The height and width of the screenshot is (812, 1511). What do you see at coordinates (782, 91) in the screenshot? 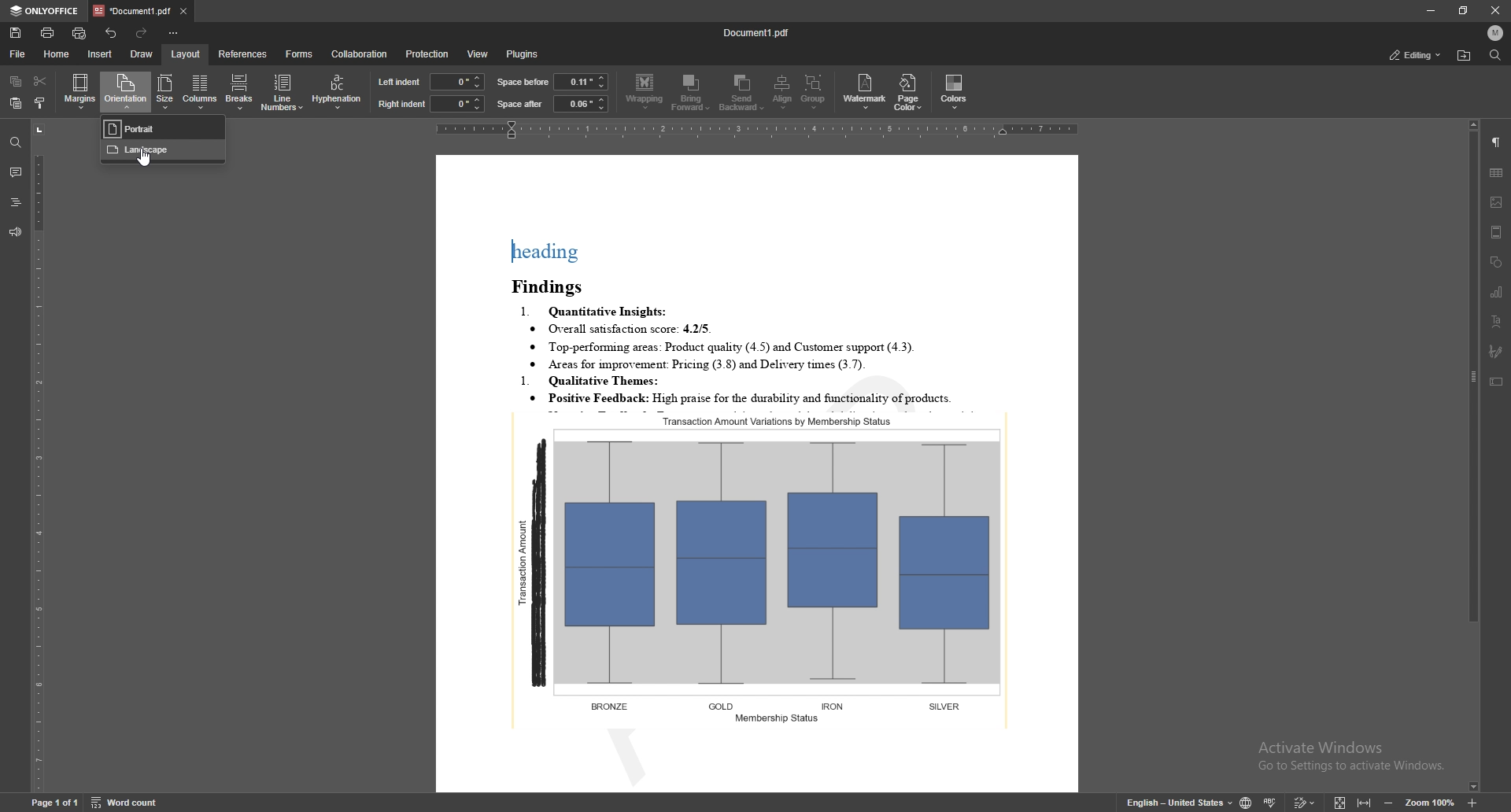
I see `align` at bounding box center [782, 91].